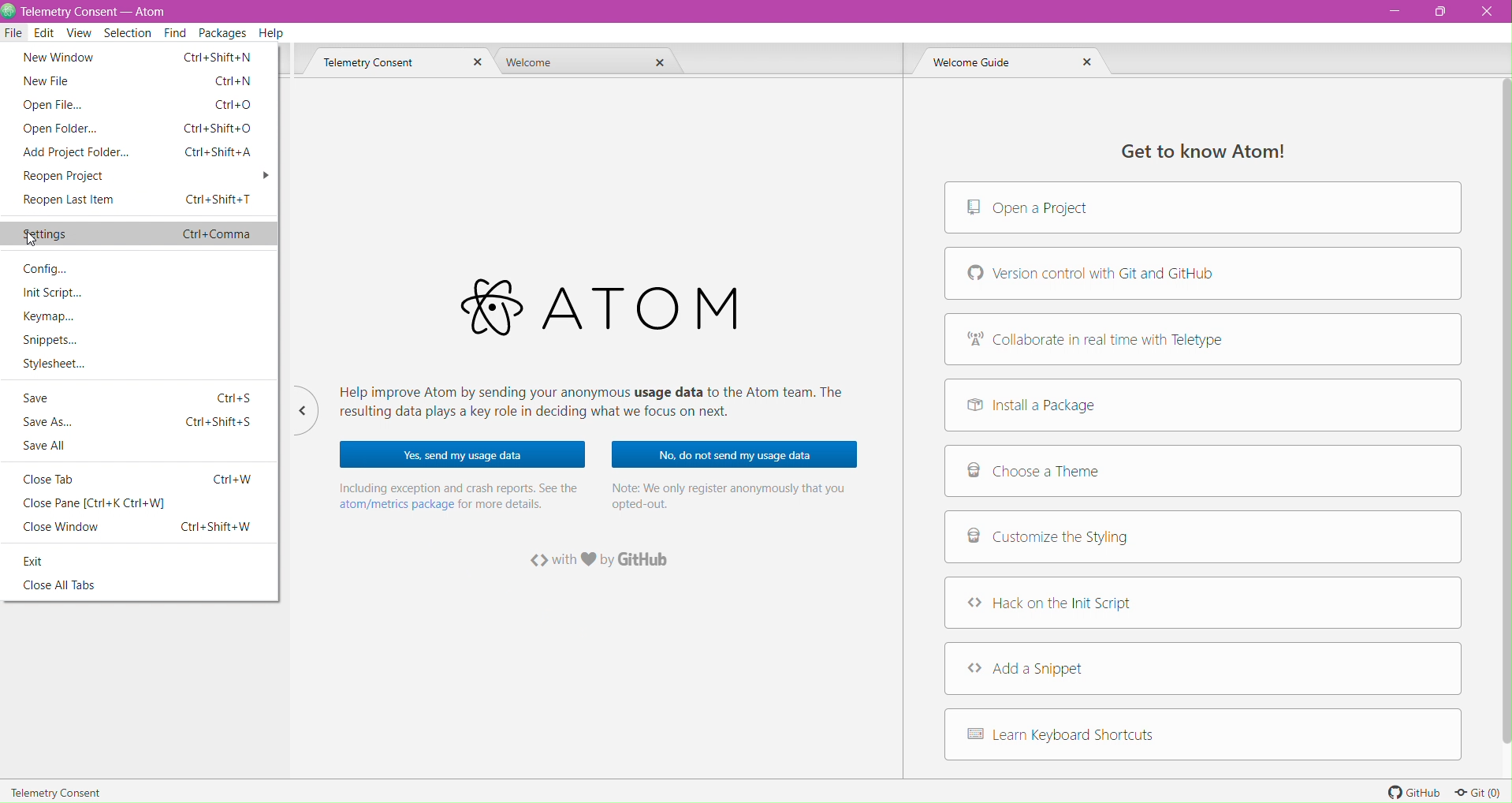 The image size is (1512, 803). What do you see at coordinates (1479, 793) in the screenshot?
I see `Git (0)` at bounding box center [1479, 793].